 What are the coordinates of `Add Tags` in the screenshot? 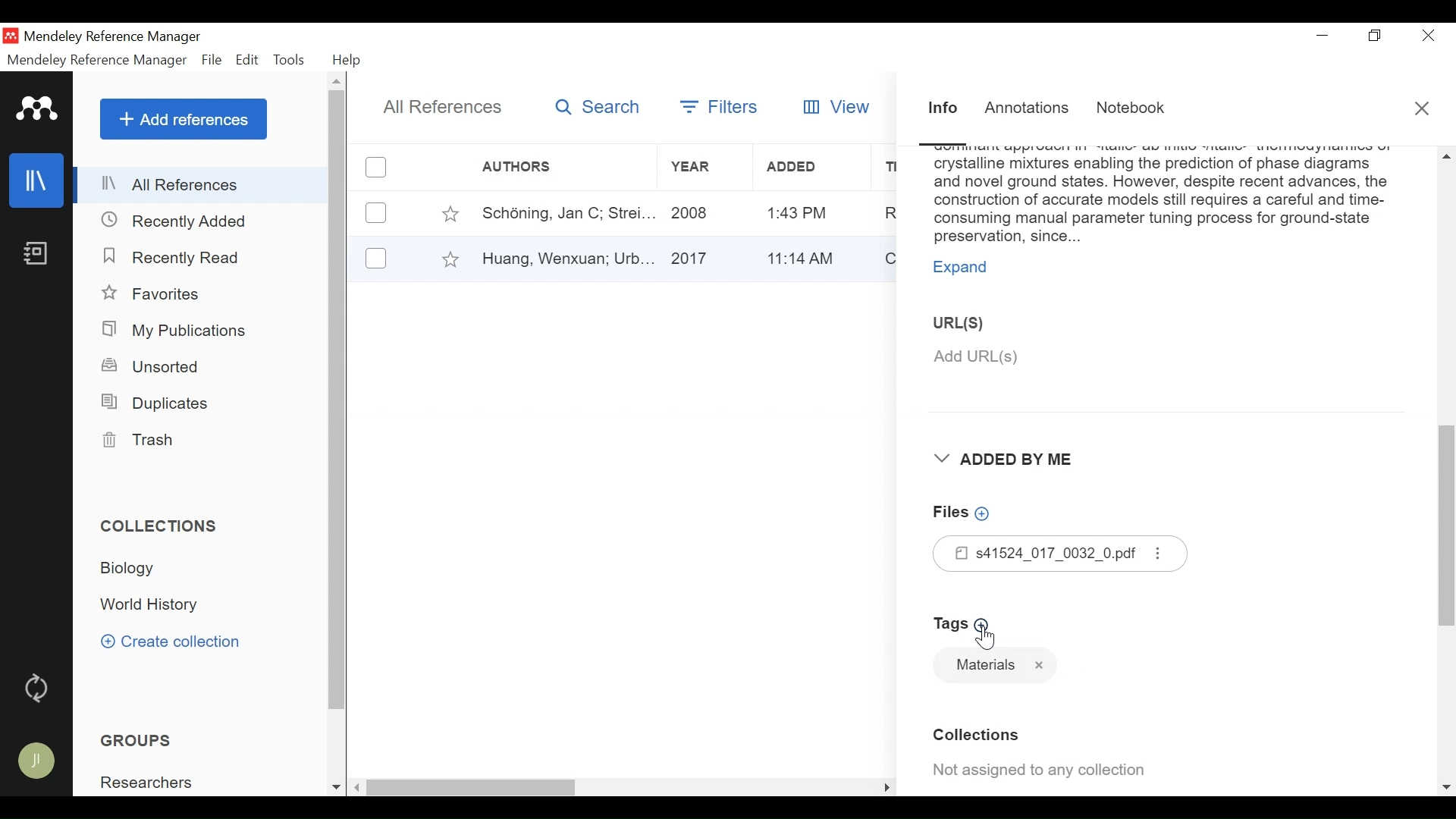 It's located at (966, 625).